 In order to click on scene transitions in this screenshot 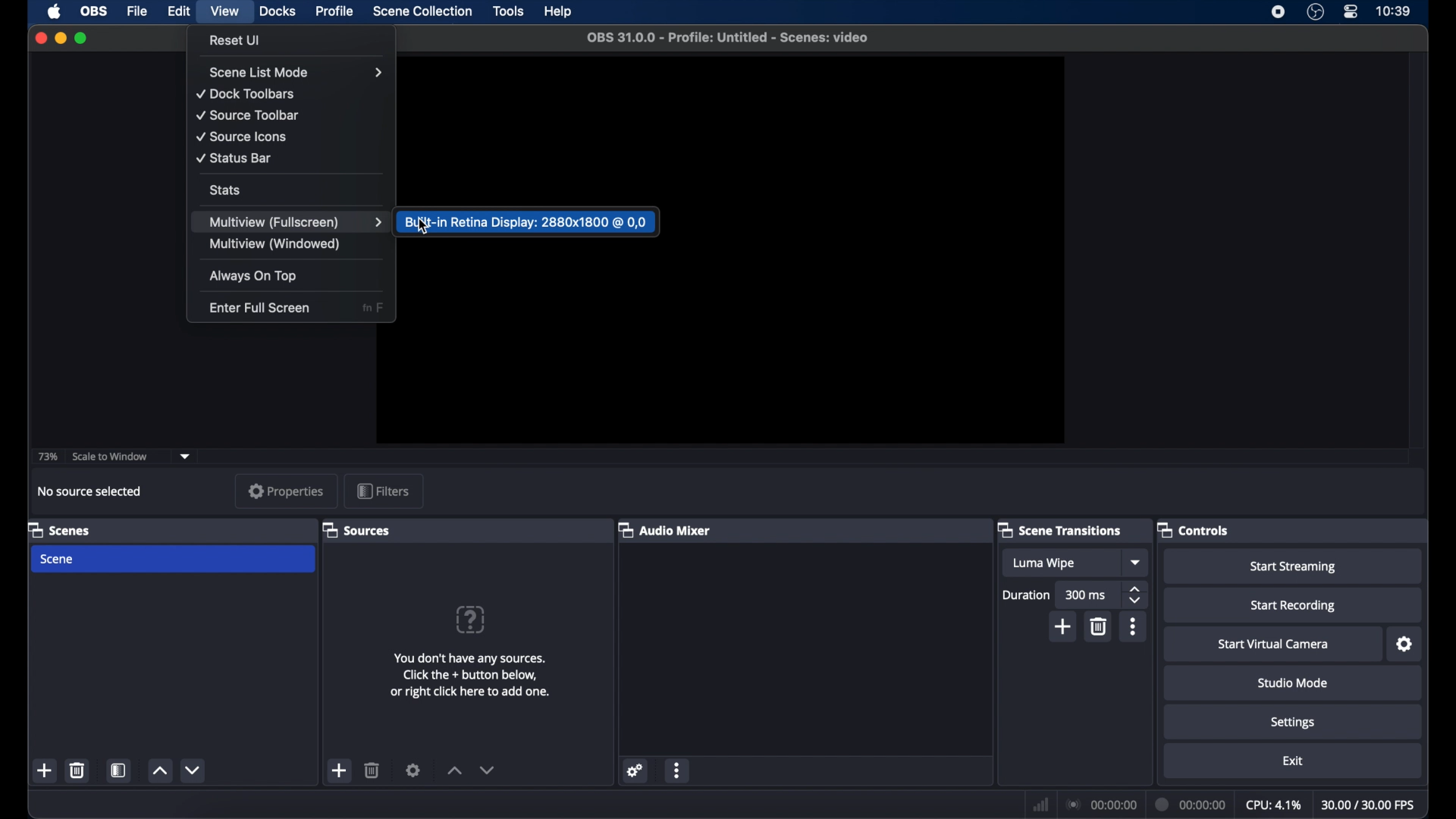, I will do `click(1059, 529)`.